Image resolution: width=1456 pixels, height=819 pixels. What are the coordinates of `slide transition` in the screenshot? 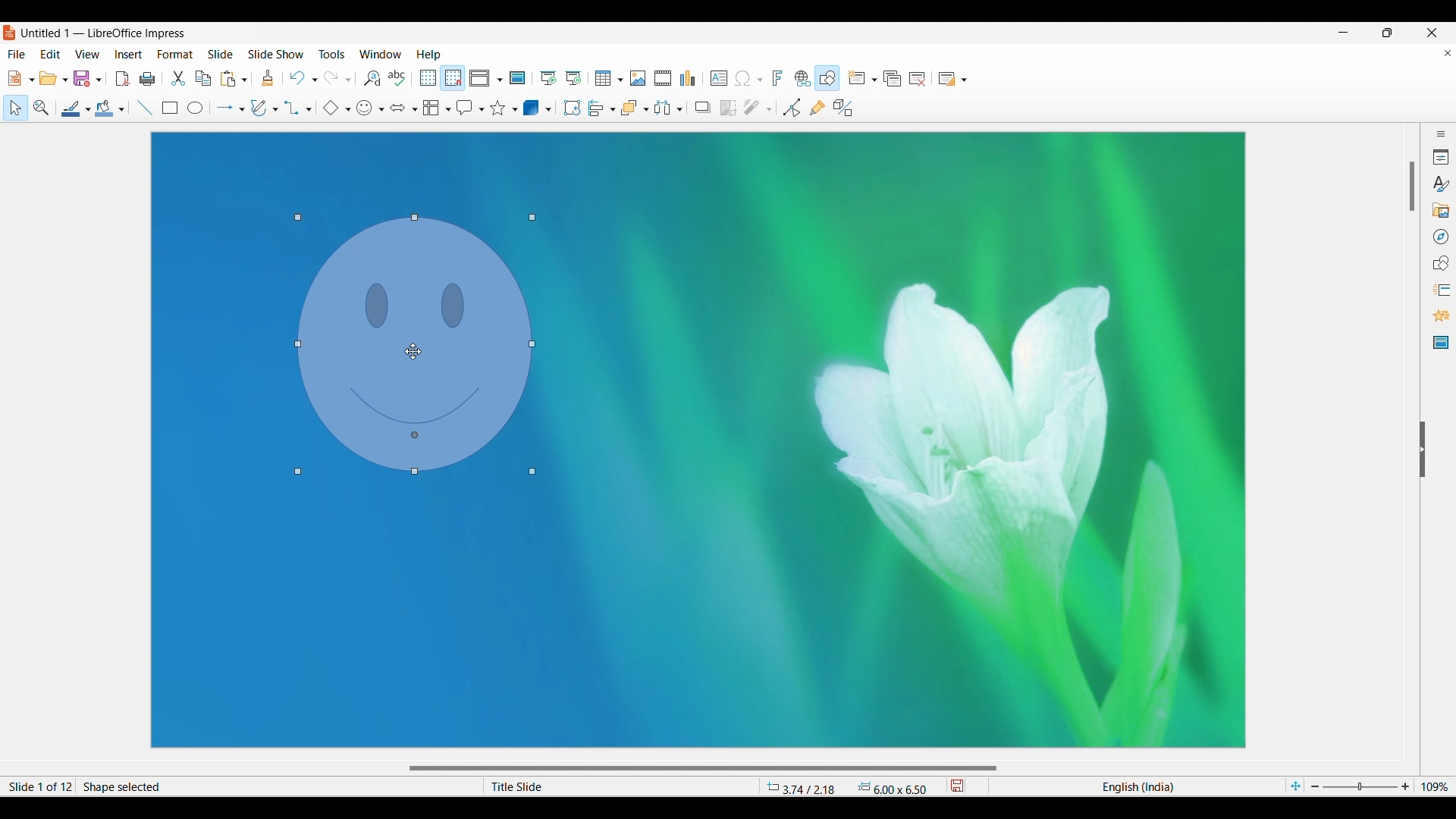 It's located at (1444, 290).